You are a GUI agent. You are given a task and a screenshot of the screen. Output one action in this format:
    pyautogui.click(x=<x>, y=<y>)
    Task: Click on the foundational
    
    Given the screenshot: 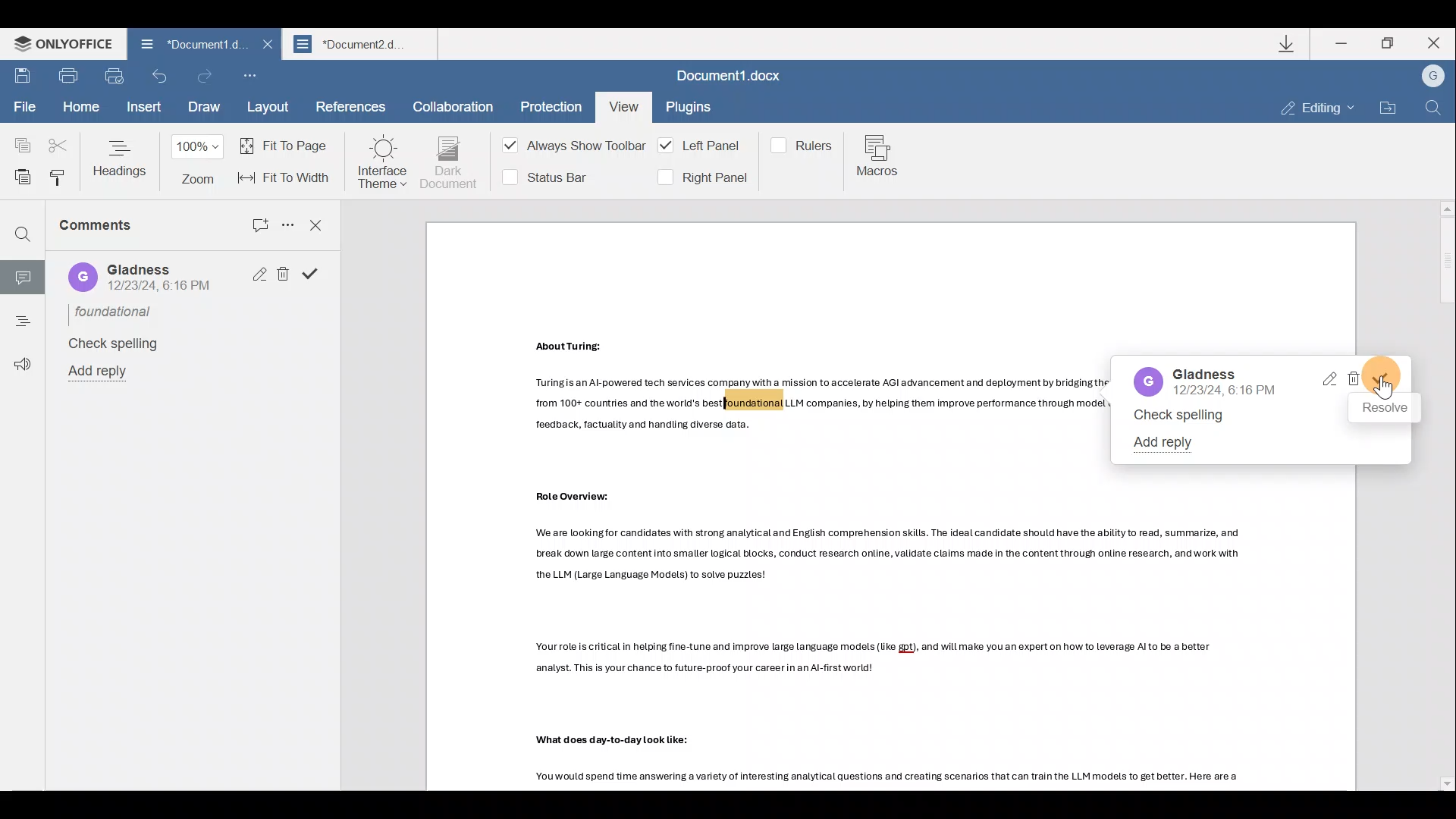 What is the action you would take?
    pyautogui.click(x=115, y=311)
    